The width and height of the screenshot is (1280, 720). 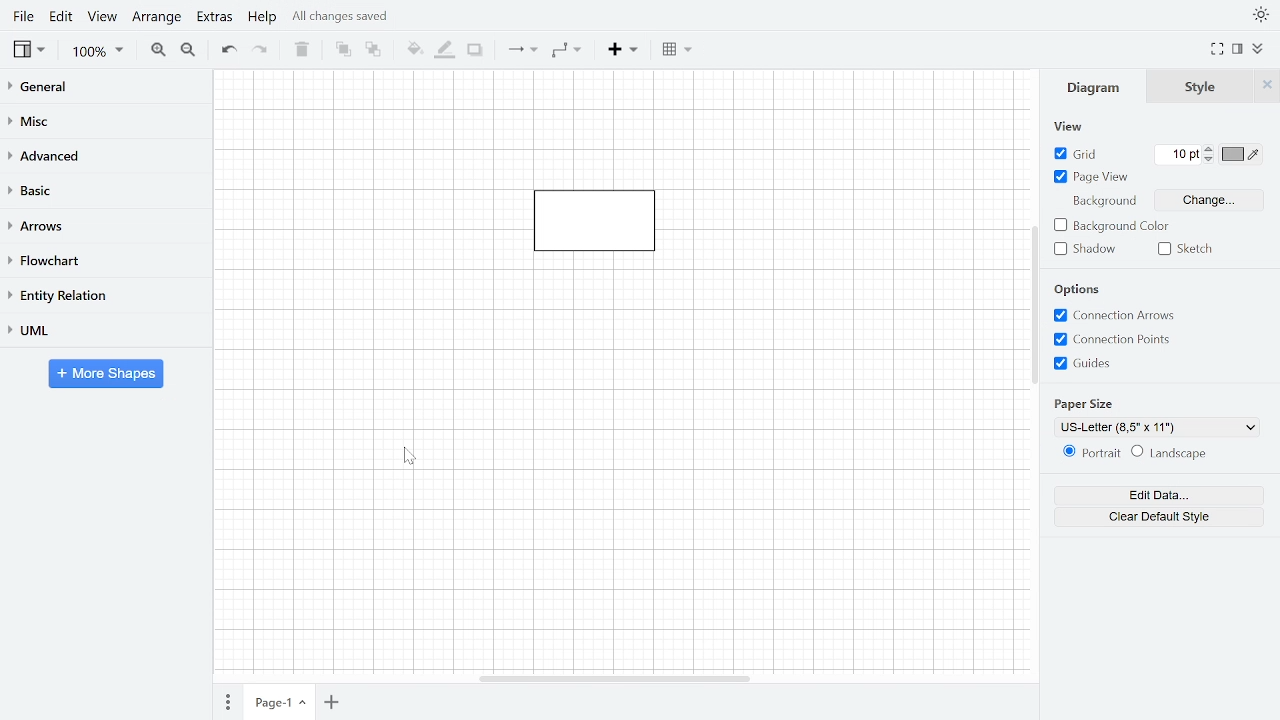 I want to click on Collapse, so click(x=1258, y=49).